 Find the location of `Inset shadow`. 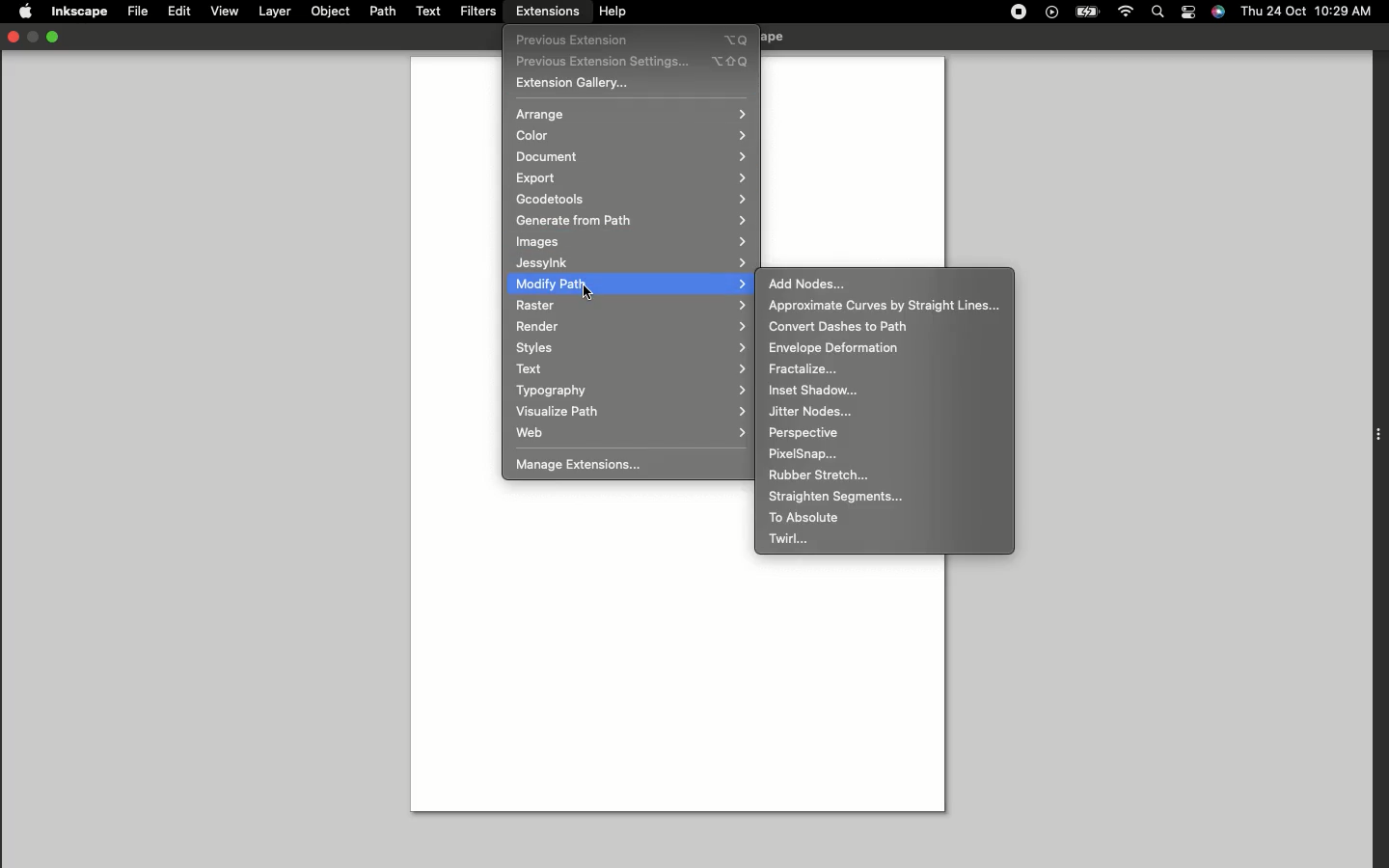

Inset shadow is located at coordinates (814, 390).